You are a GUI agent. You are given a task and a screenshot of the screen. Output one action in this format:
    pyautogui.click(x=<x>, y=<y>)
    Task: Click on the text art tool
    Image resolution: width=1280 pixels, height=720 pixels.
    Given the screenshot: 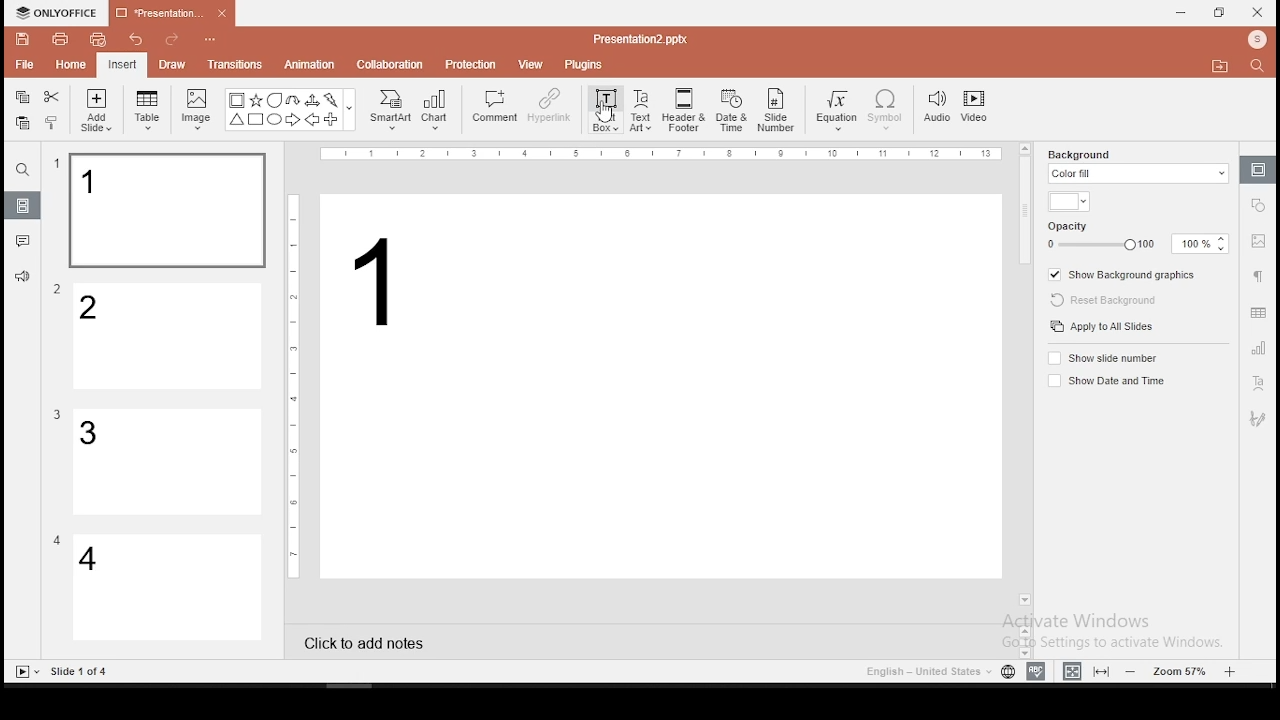 What is the action you would take?
    pyautogui.click(x=1257, y=384)
    